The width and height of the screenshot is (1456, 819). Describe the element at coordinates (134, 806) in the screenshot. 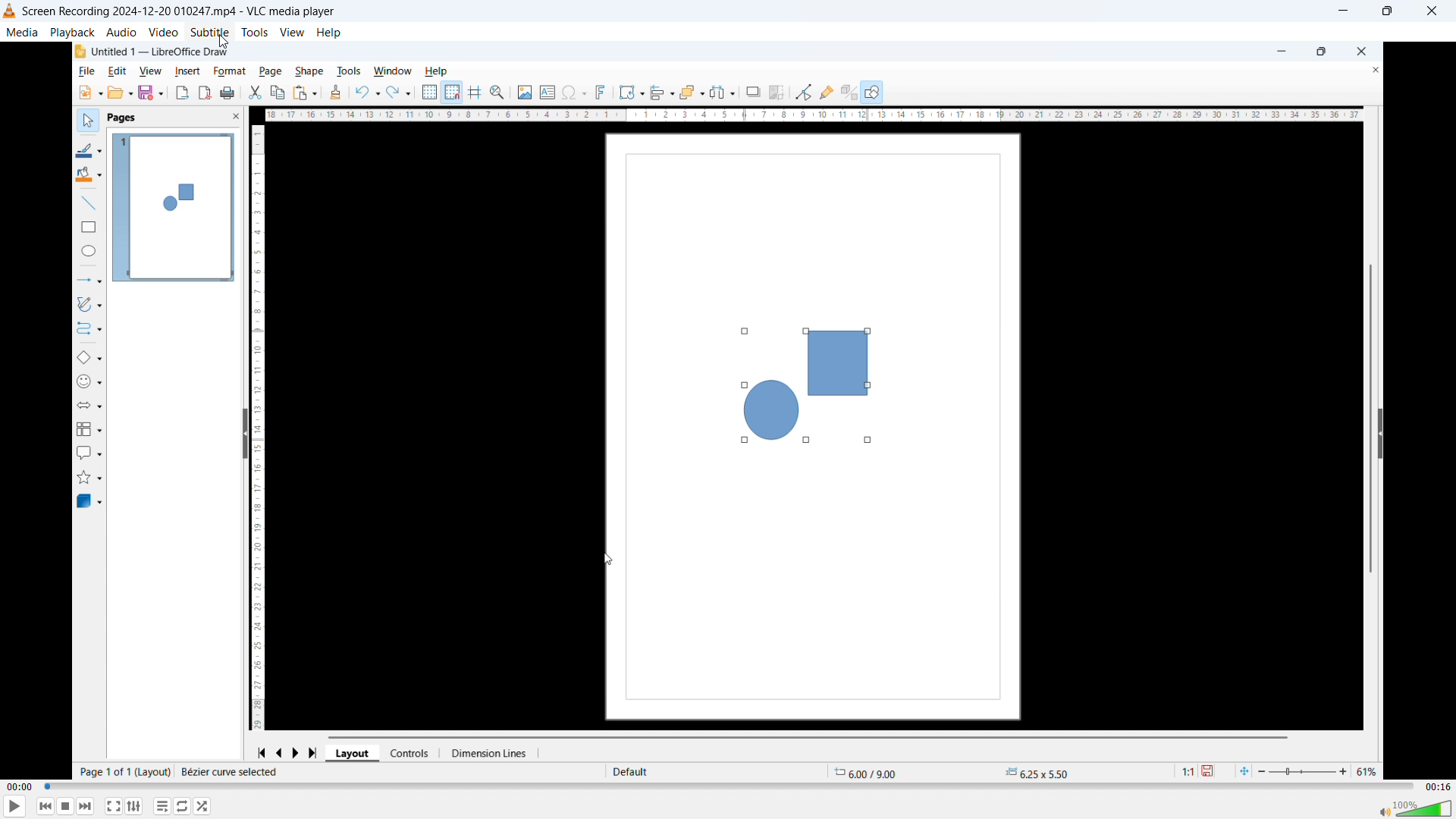

I see `Show advanced settings ` at that location.